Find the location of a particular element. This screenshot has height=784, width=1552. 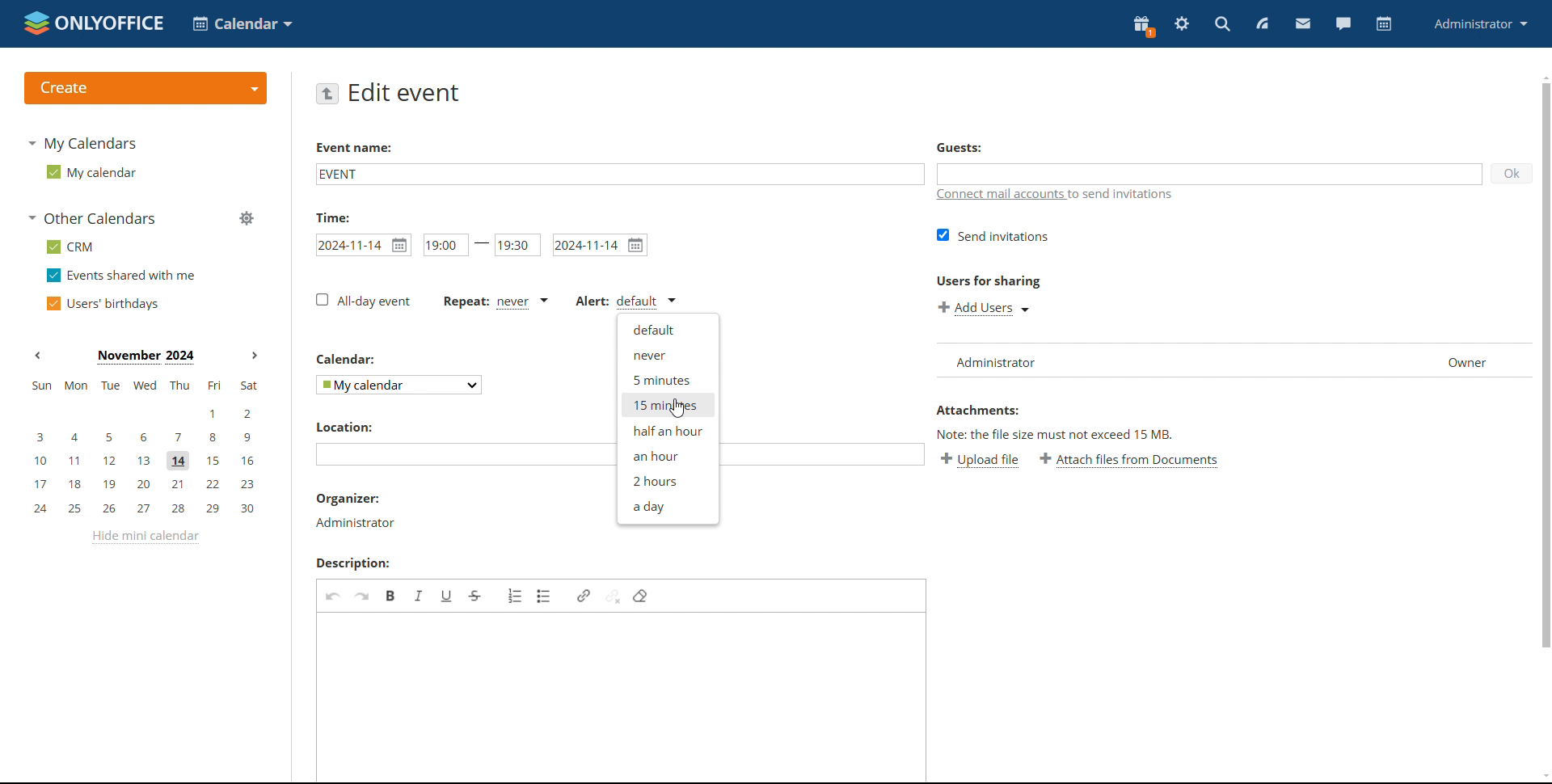

link is located at coordinates (583, 596).